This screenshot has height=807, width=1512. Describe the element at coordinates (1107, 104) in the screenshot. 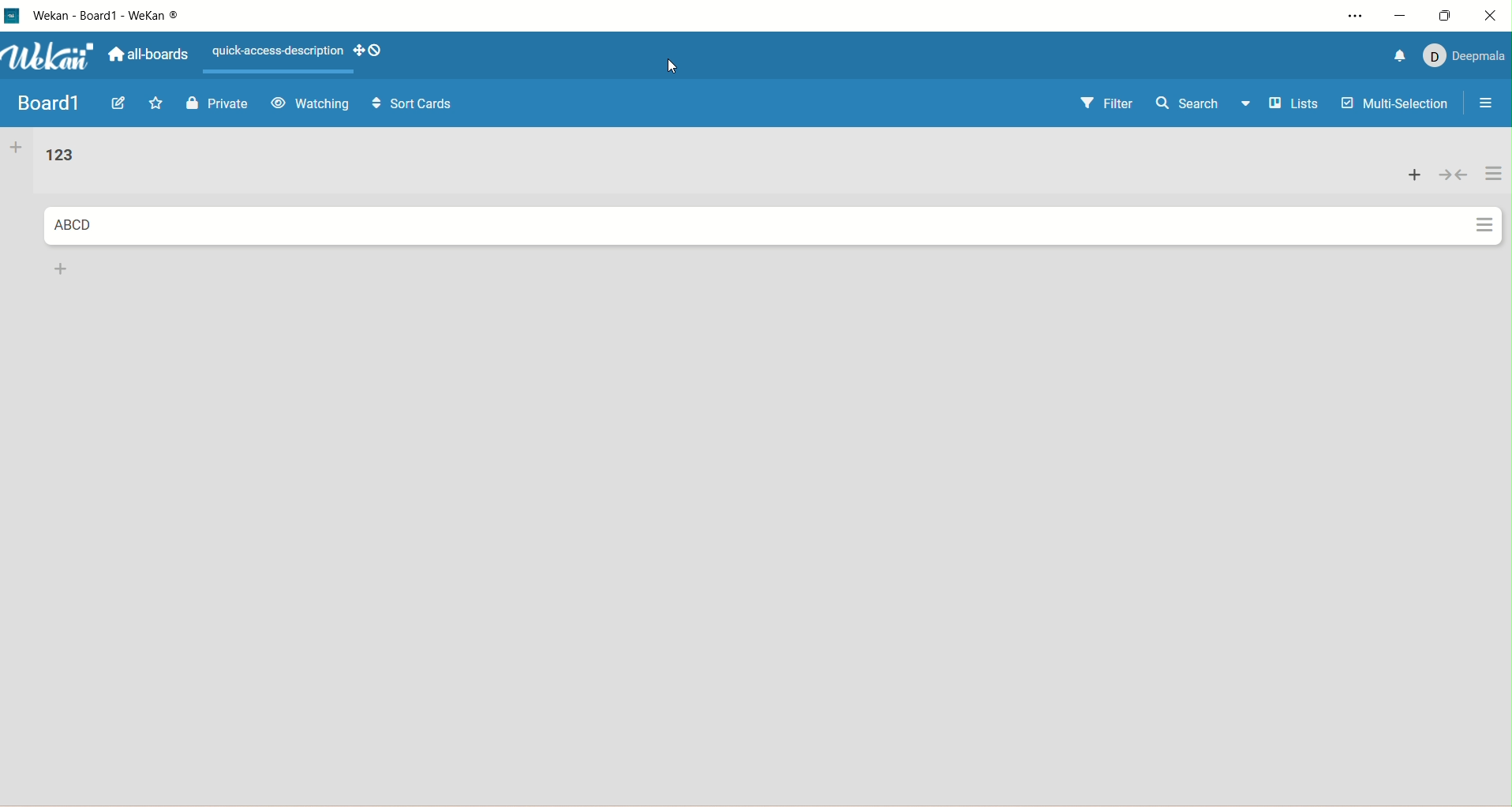

I see `filter` at that location.